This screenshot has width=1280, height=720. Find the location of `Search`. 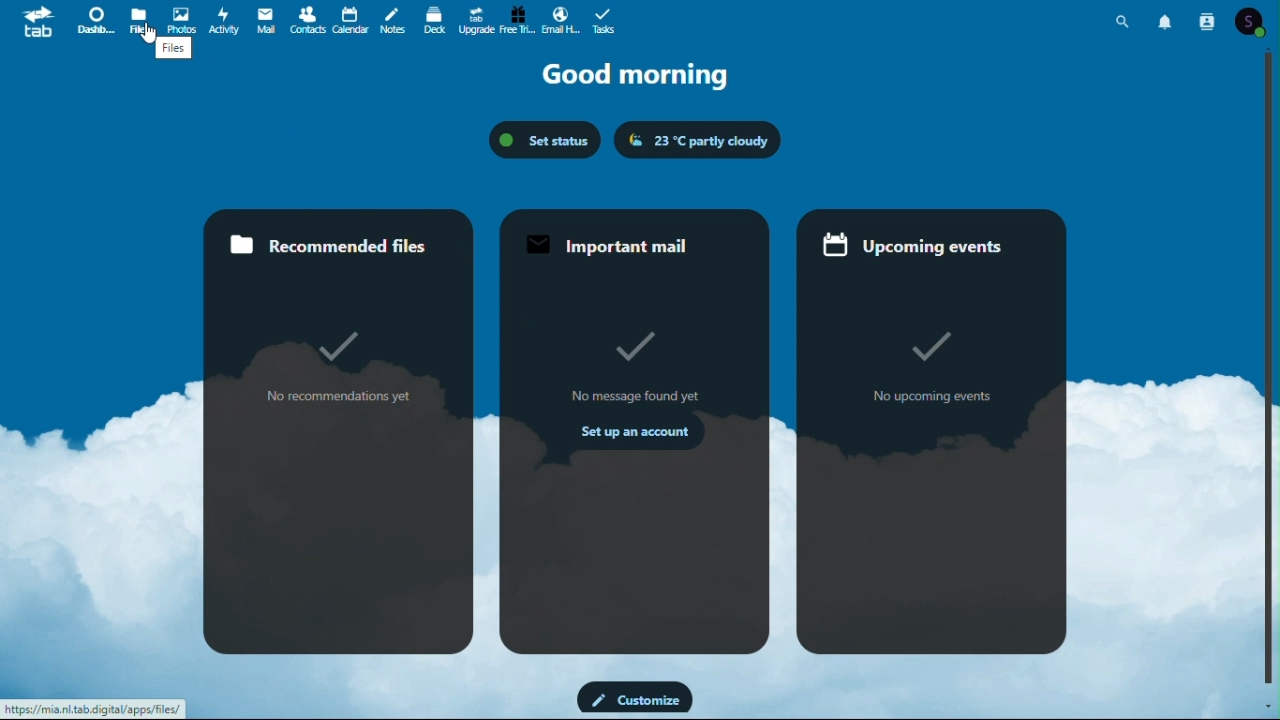

Search is located at coordinates (1123, 21).